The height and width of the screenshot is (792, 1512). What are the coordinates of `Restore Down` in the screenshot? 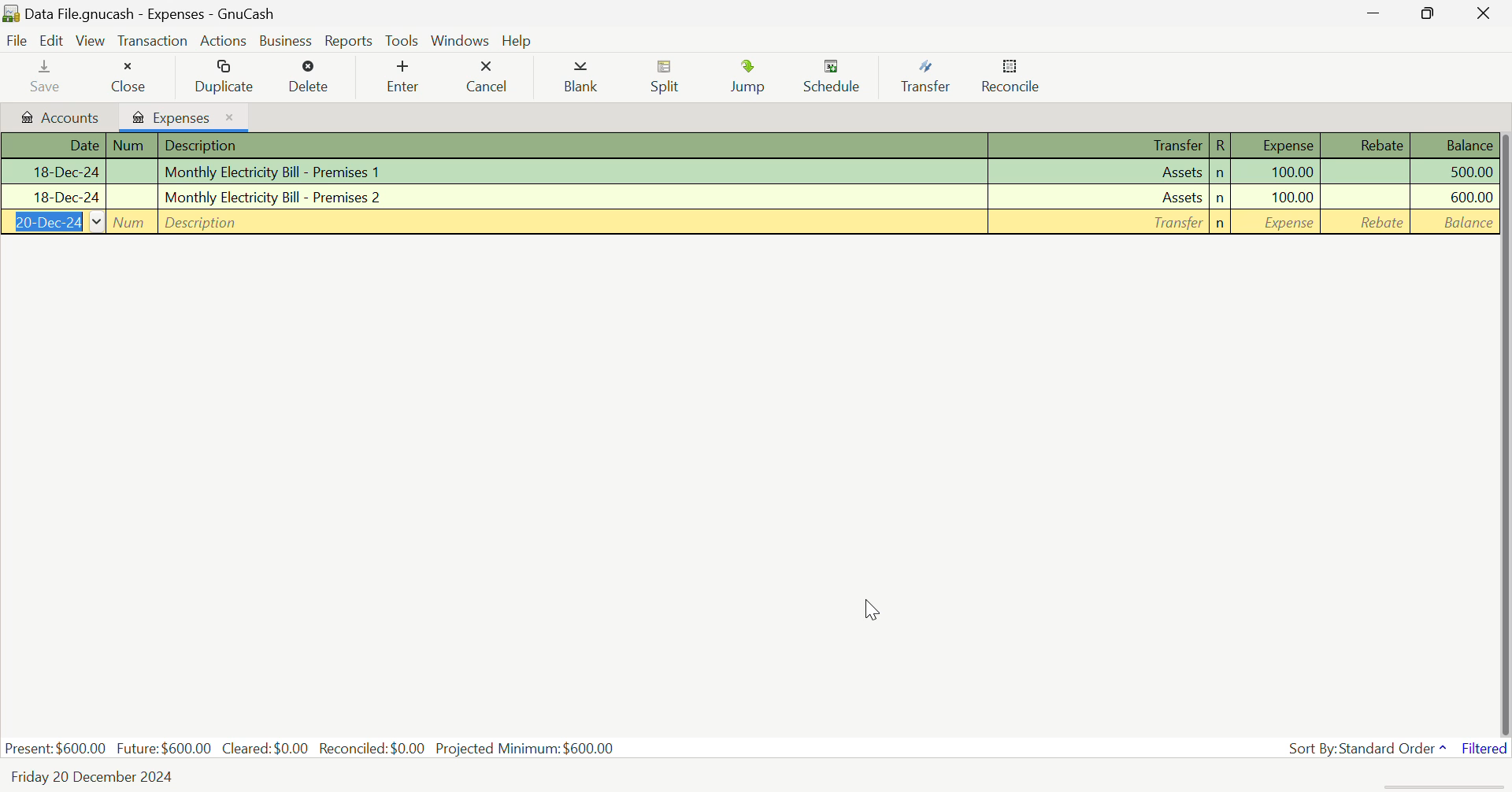 It's located at (1380, 13).